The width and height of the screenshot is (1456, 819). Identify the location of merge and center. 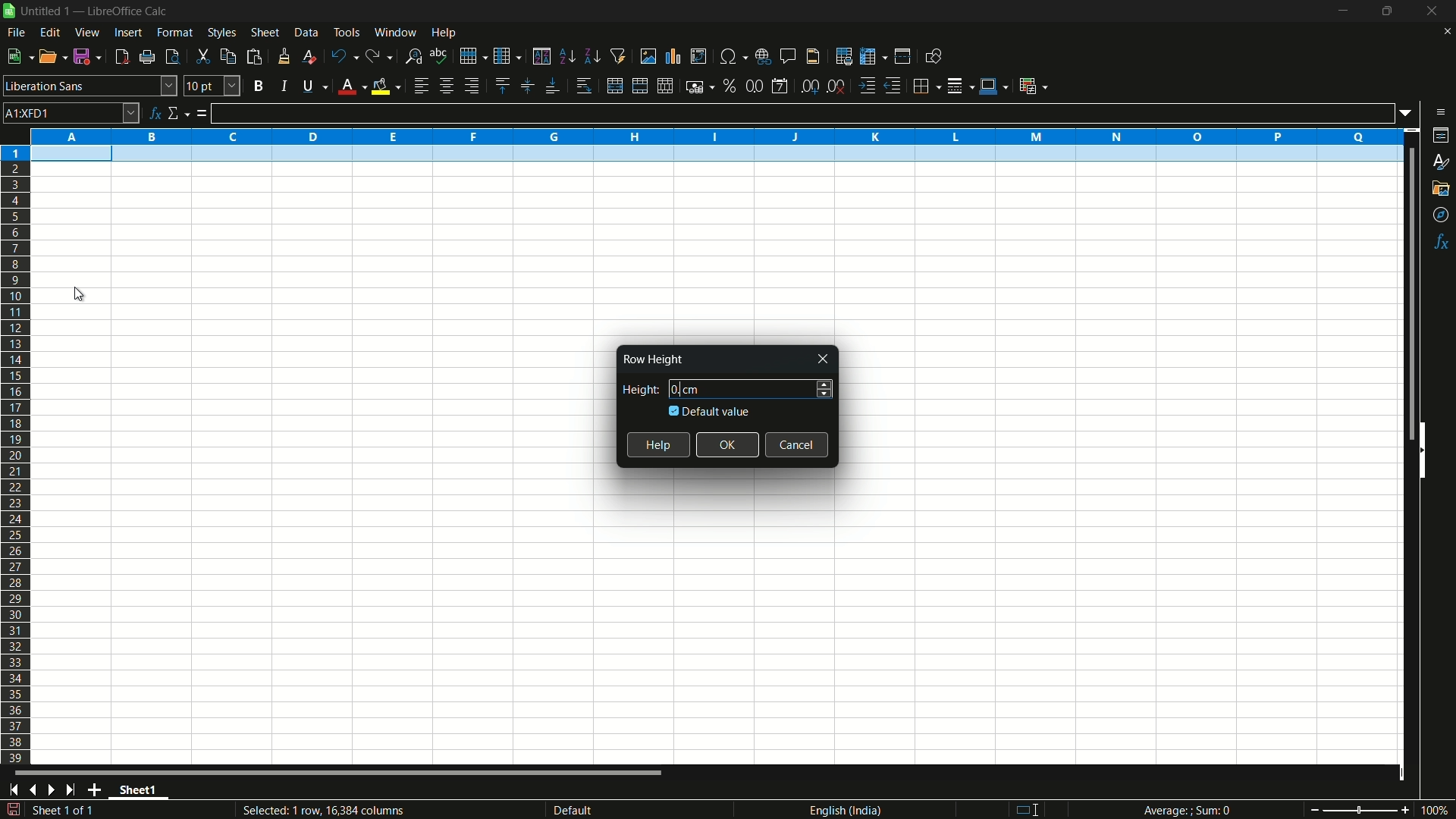
(638, 86).